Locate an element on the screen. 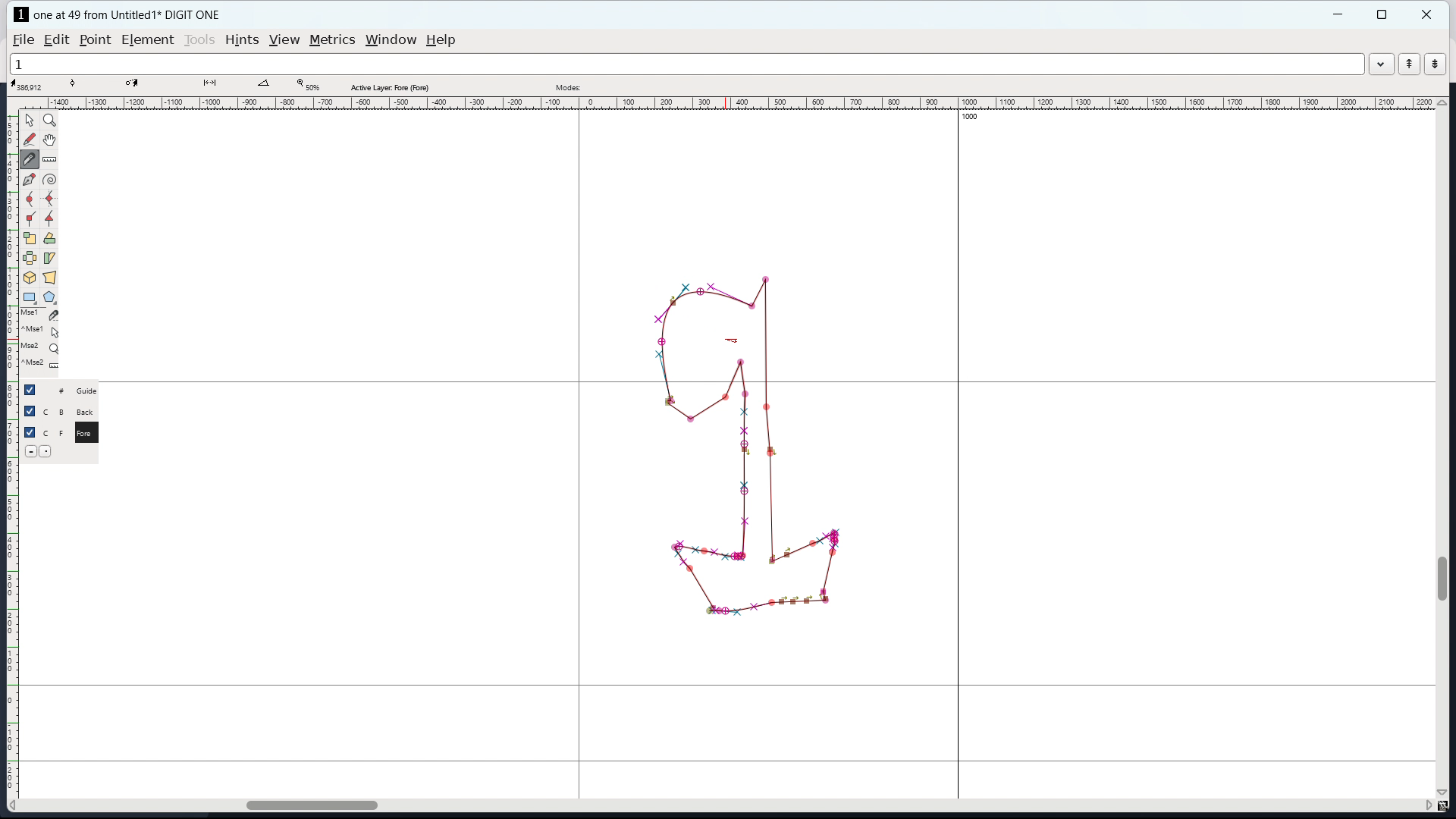 Image resolution: width=1456 pixels, height=819 pixels. rotate selection in 3D and project back to plane is located at coordinates (30, 278).